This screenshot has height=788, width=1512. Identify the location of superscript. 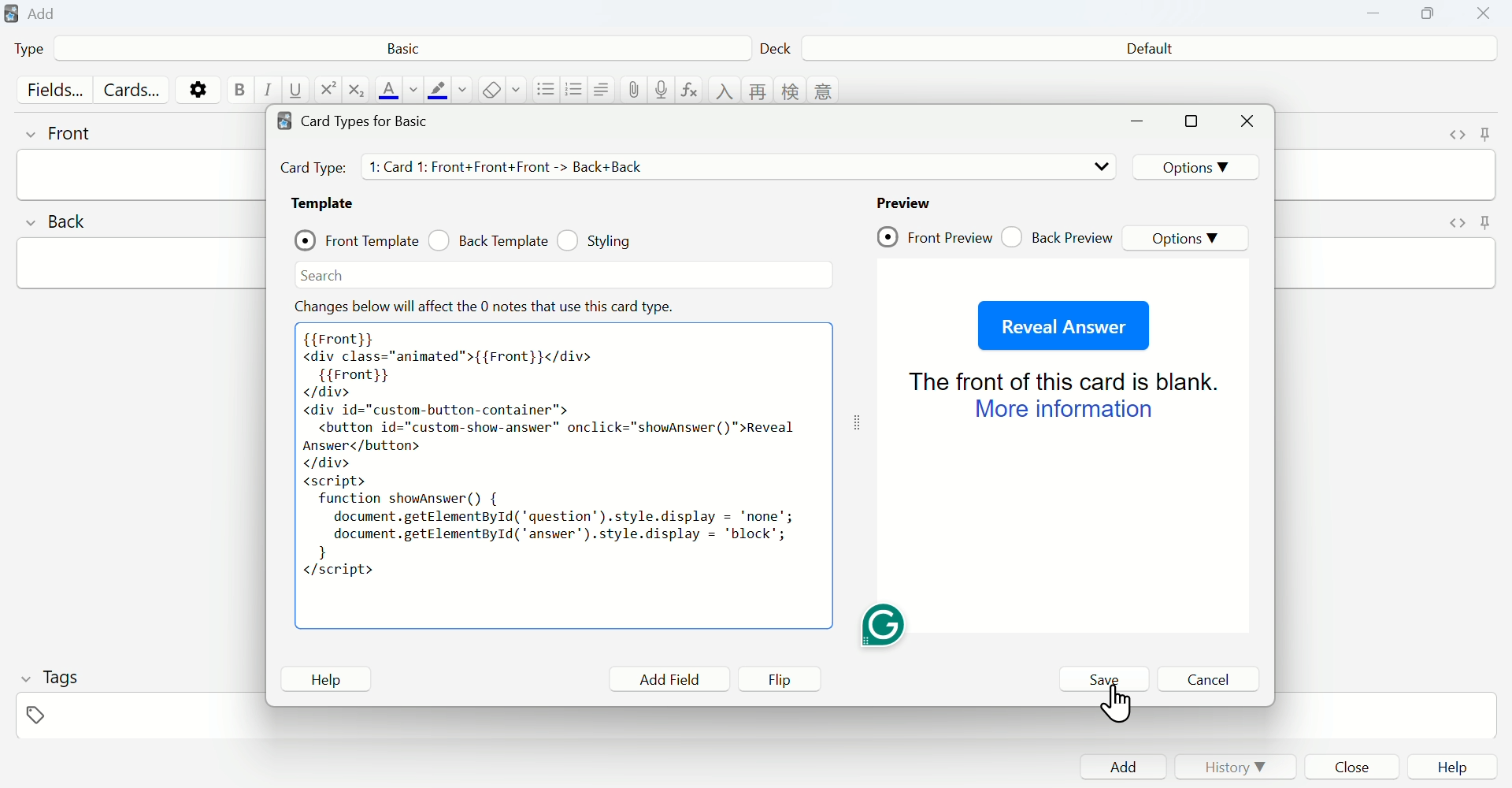
(328, 90).